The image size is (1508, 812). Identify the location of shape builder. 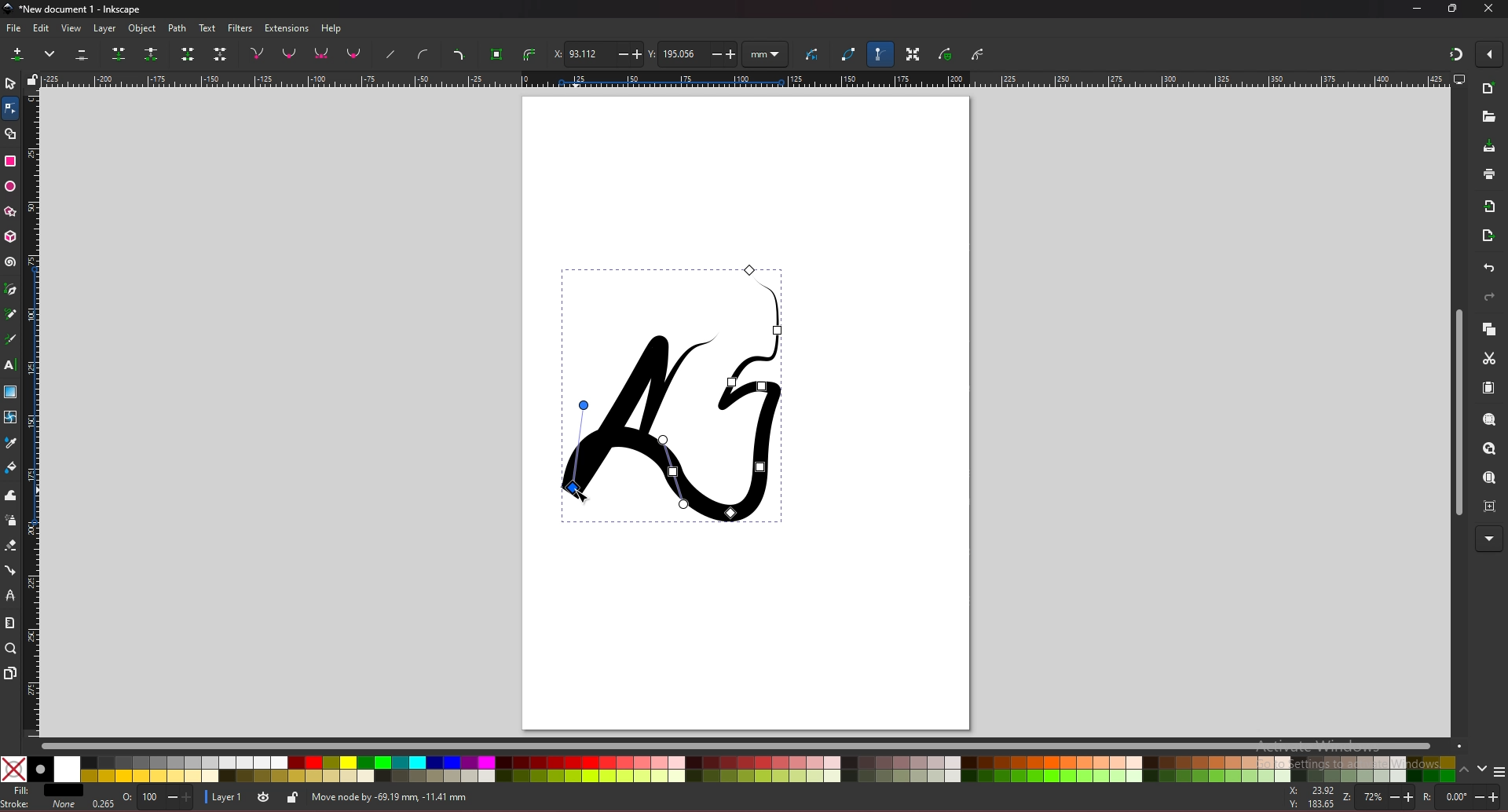
(11, 134).